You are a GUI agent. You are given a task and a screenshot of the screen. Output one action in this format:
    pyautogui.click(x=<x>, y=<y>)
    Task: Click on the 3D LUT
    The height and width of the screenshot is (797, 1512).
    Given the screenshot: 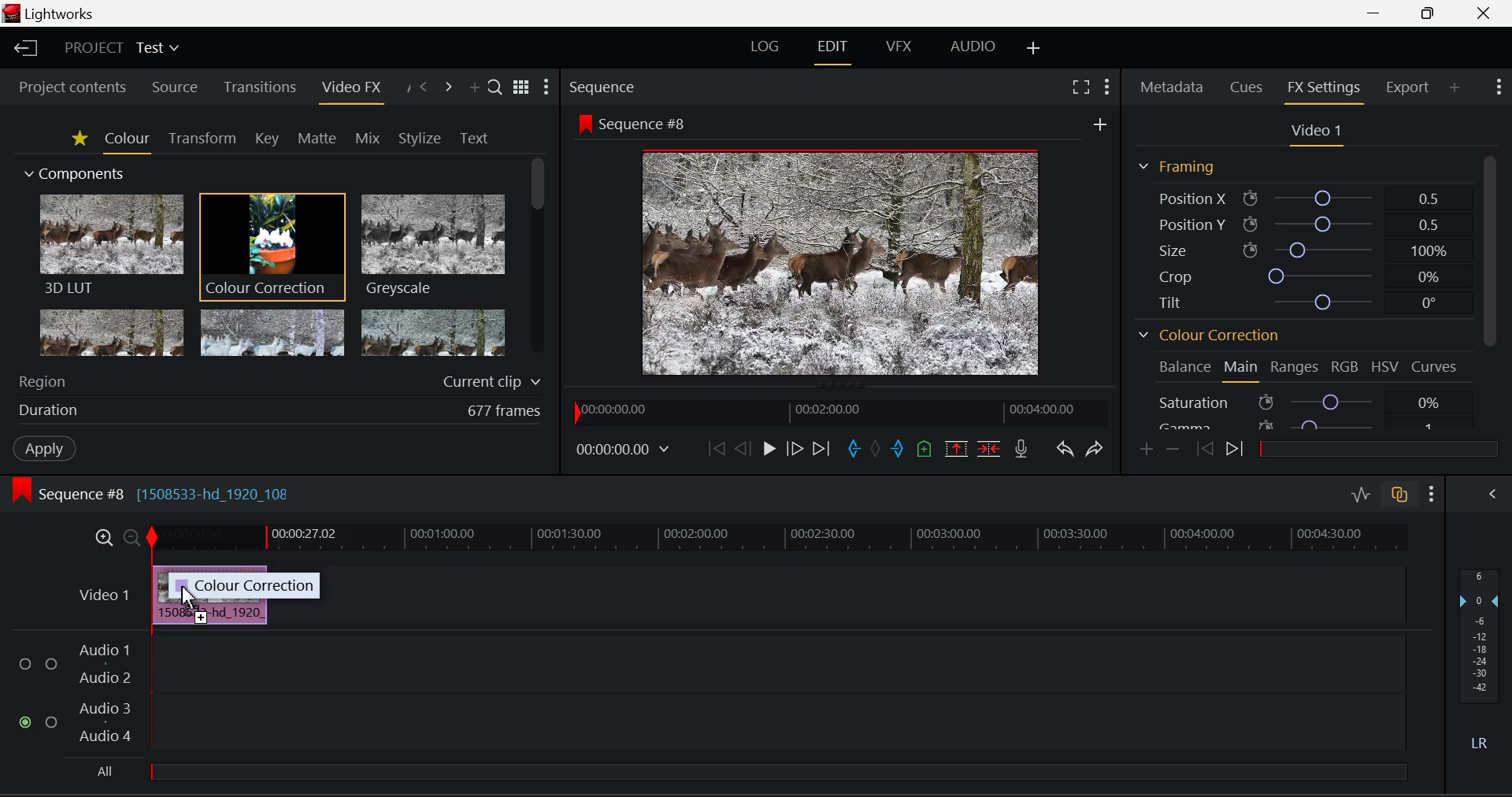 What is the action you would take?
    pyautogui.click(x=110, y=243)
    